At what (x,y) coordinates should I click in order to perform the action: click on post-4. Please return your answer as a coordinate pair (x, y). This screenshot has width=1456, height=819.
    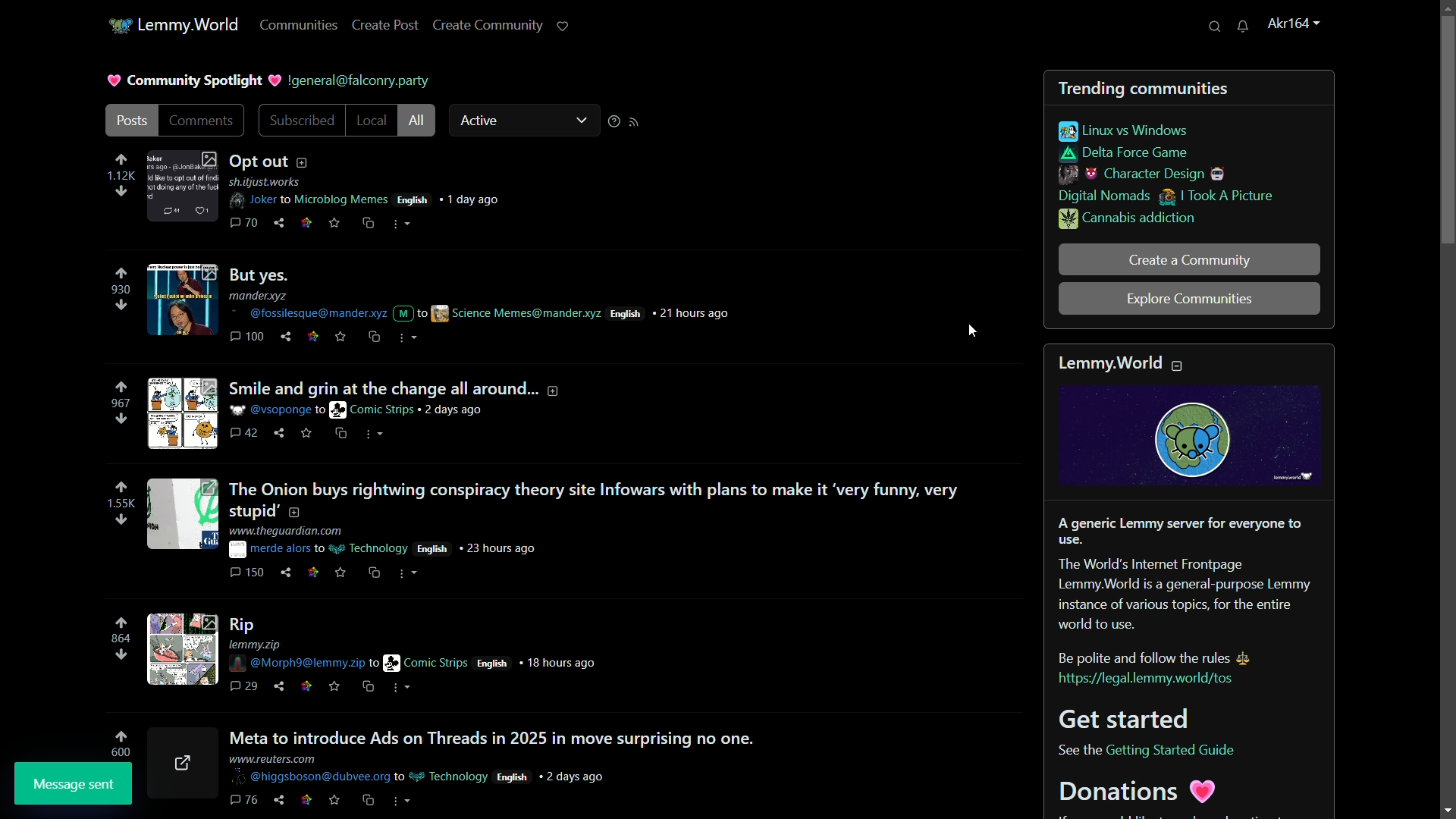
    Looking at the image, I should click on (595, 498).